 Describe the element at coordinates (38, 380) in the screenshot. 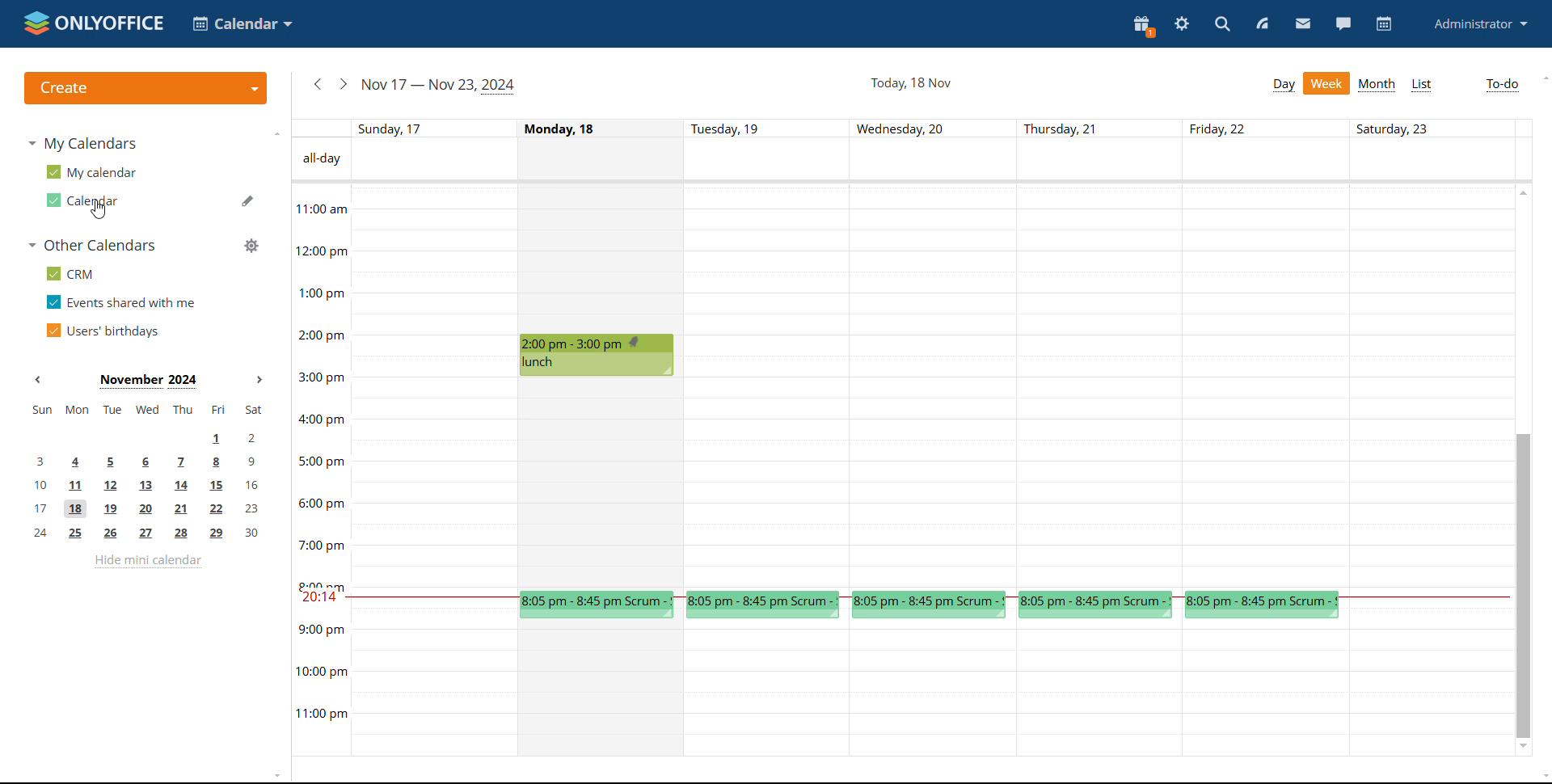

I see `previous month` at that location.